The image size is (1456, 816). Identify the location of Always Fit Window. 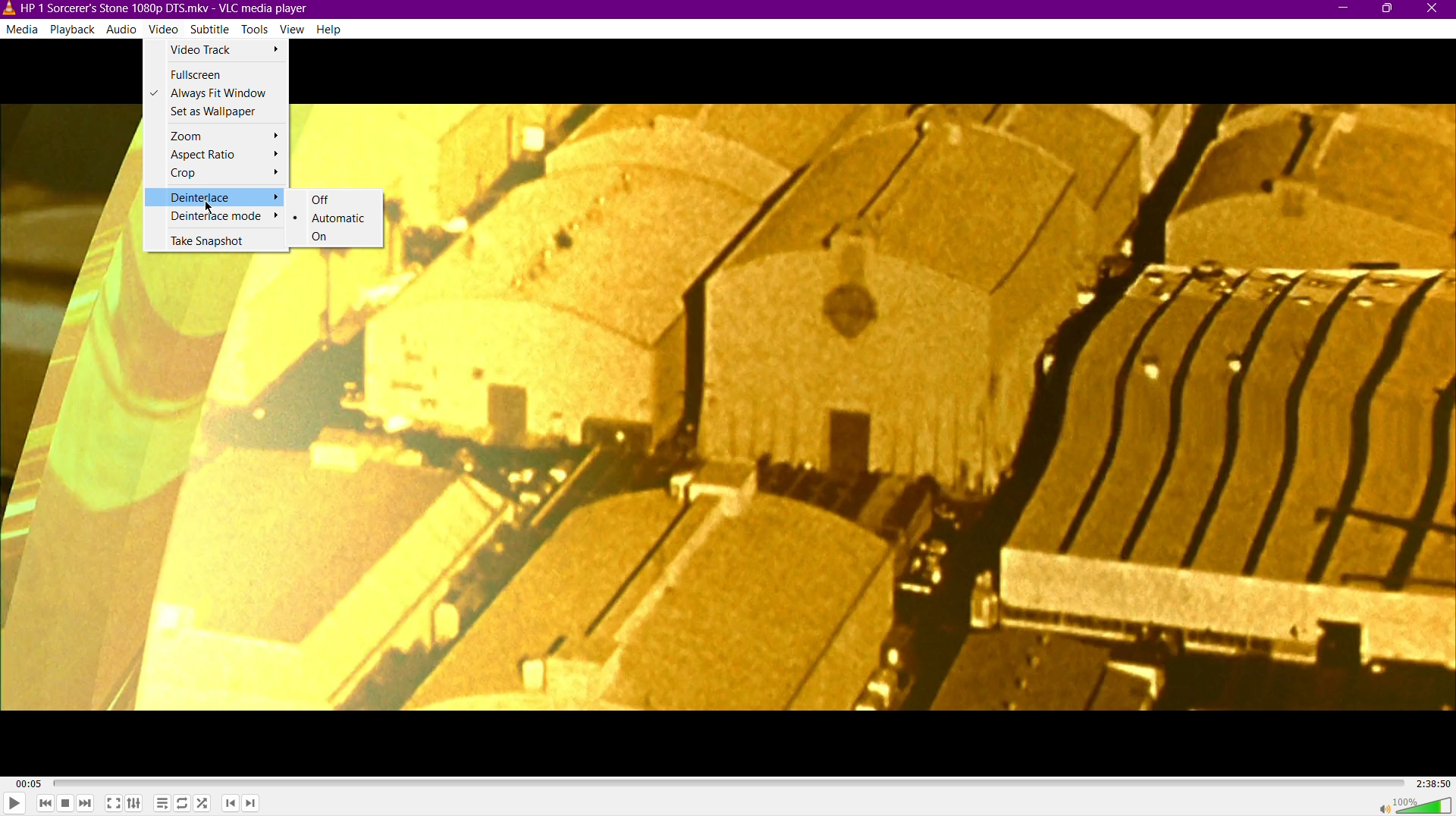
(215, 94).